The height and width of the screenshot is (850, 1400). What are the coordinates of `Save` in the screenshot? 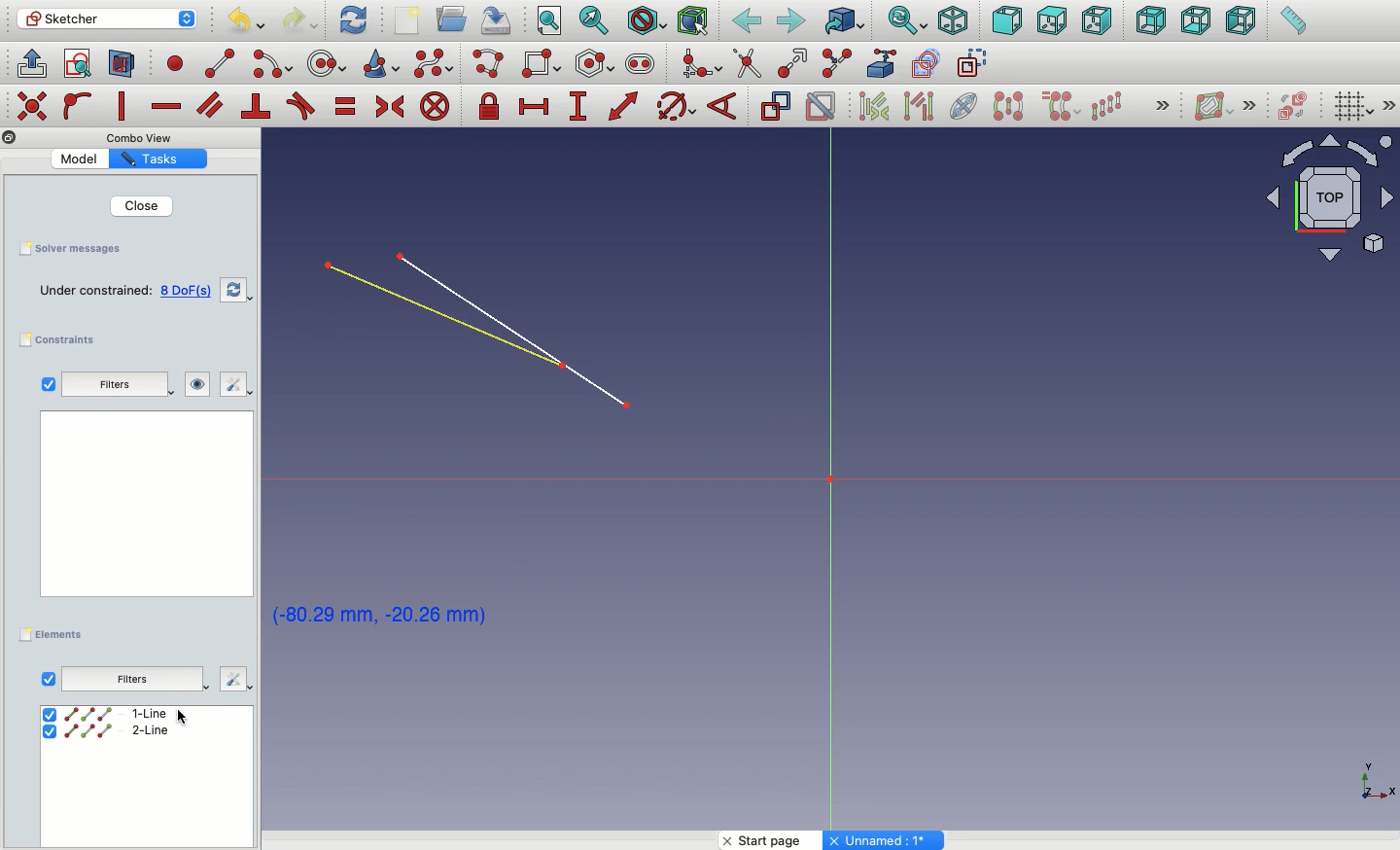 It's located at (81, 250).